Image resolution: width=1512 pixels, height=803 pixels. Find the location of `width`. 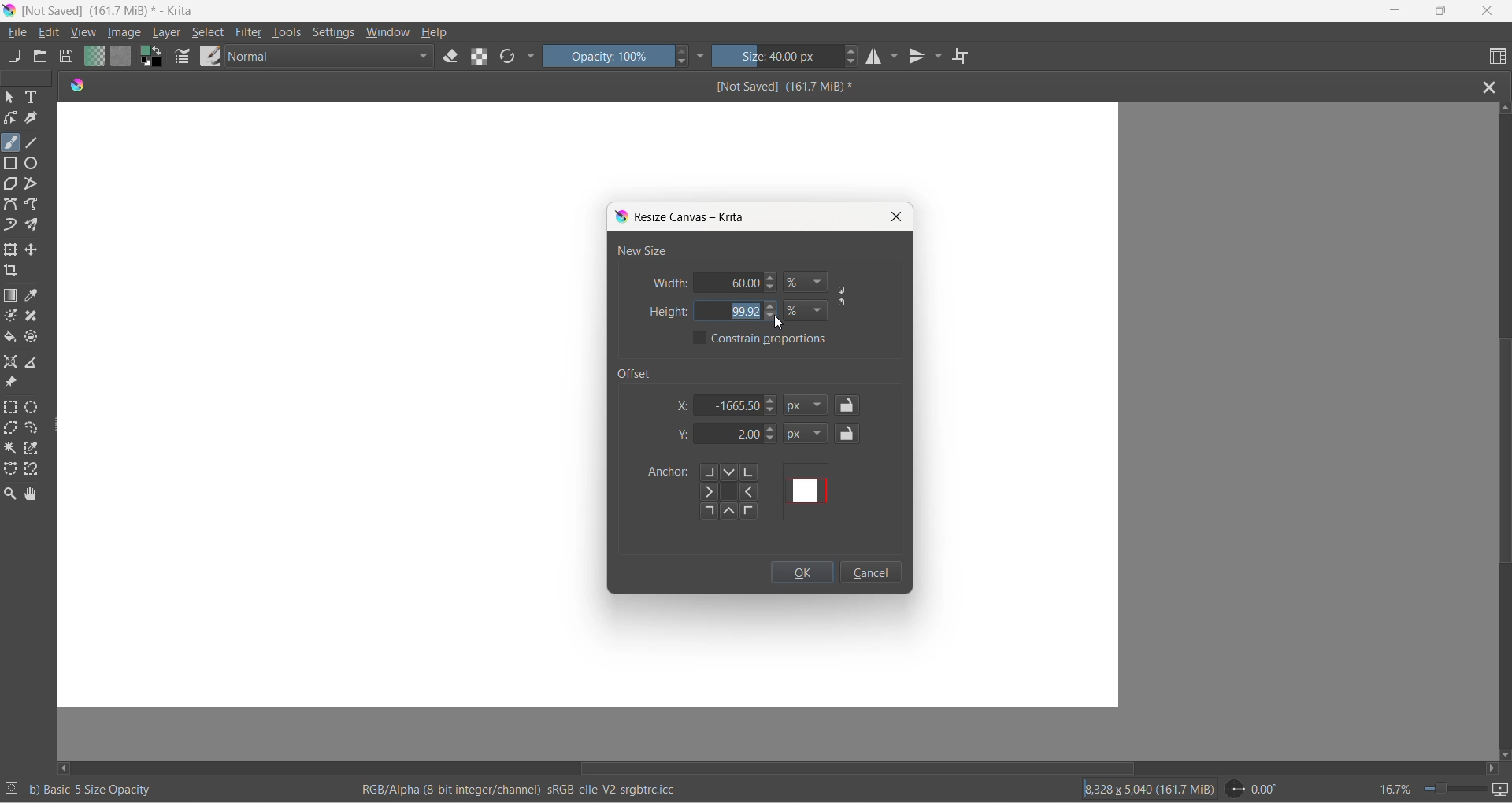

width is located at coordinates (669, 283).